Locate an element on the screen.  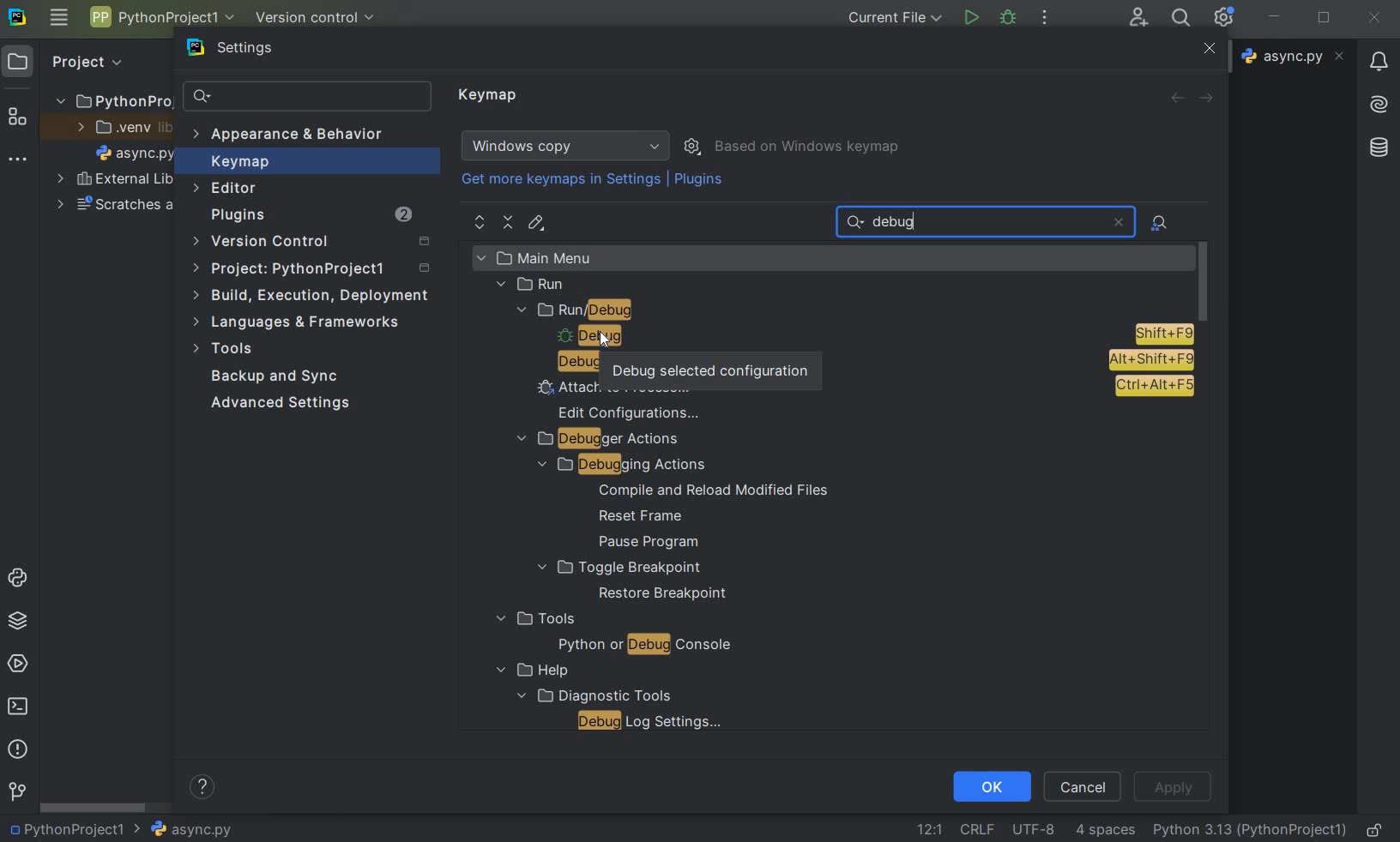
version control is located at coordinates (317, 243).